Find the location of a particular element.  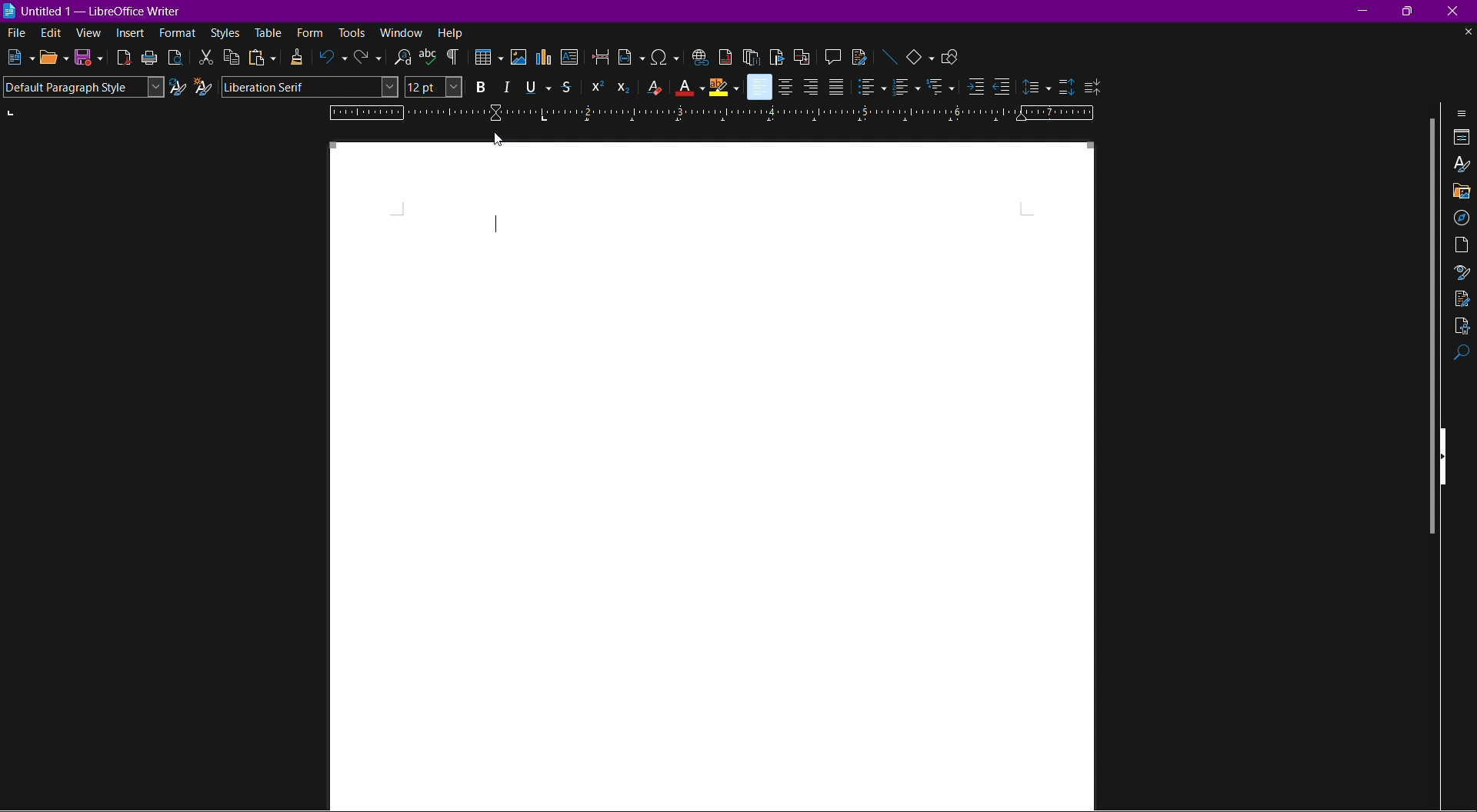

Underline is located at coordinates (537, 86).